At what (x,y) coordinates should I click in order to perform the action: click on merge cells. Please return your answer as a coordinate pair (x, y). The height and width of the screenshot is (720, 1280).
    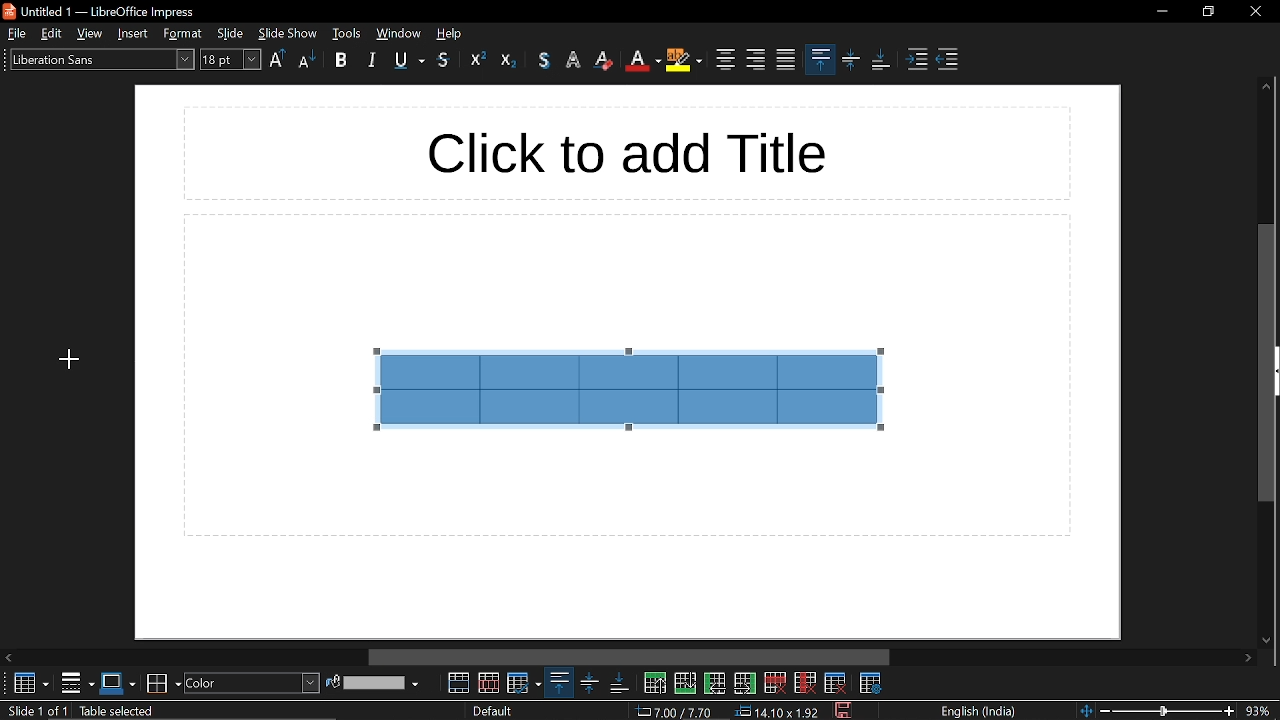
    Looking at the image, I should click on (460, 683).